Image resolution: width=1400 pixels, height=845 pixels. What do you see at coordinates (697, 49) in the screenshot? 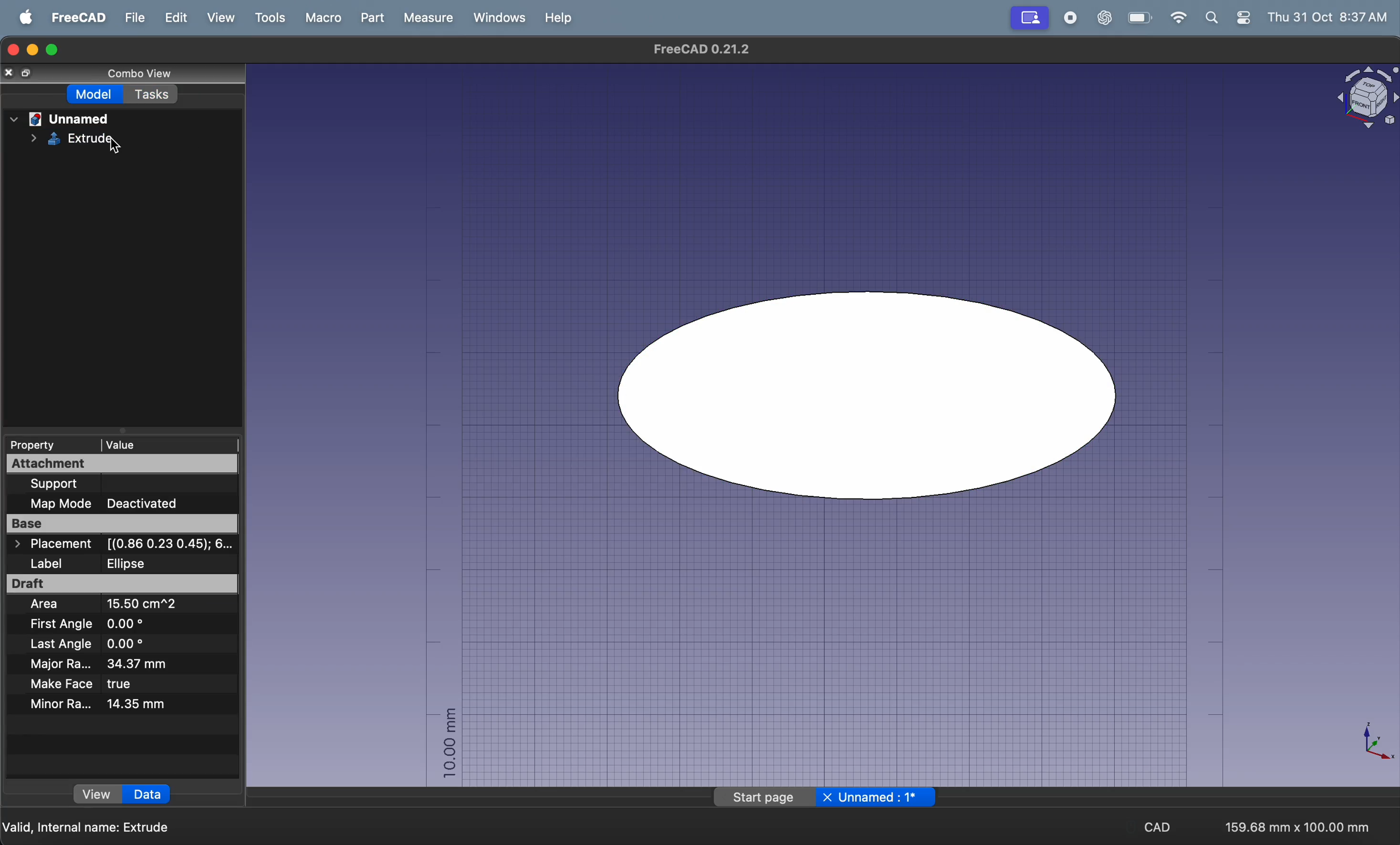
I see `Free cad 0.21.2` at bounding box center [697, 49].